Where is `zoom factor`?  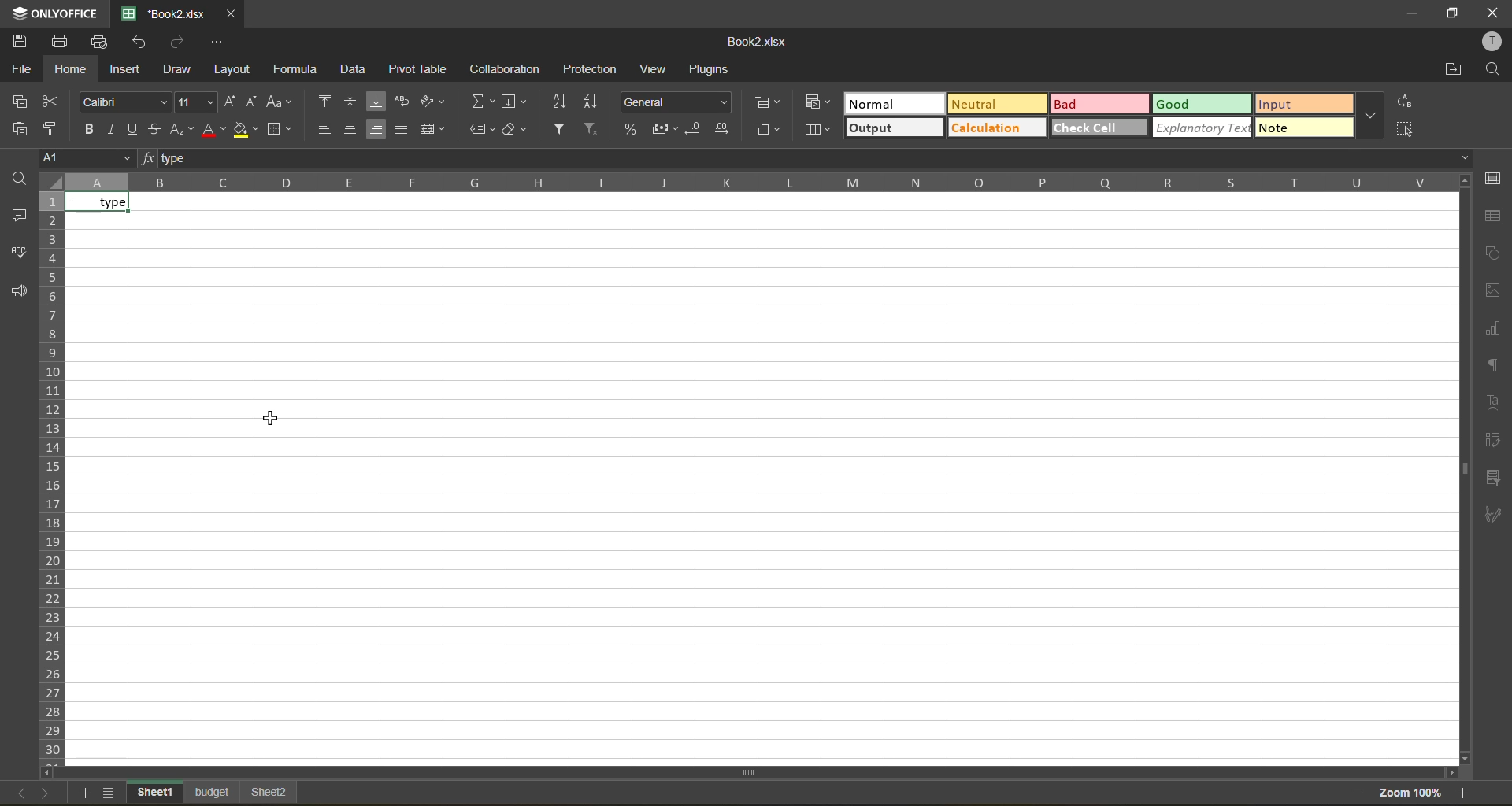
zoom factor is located at coordinates (1409, 794).